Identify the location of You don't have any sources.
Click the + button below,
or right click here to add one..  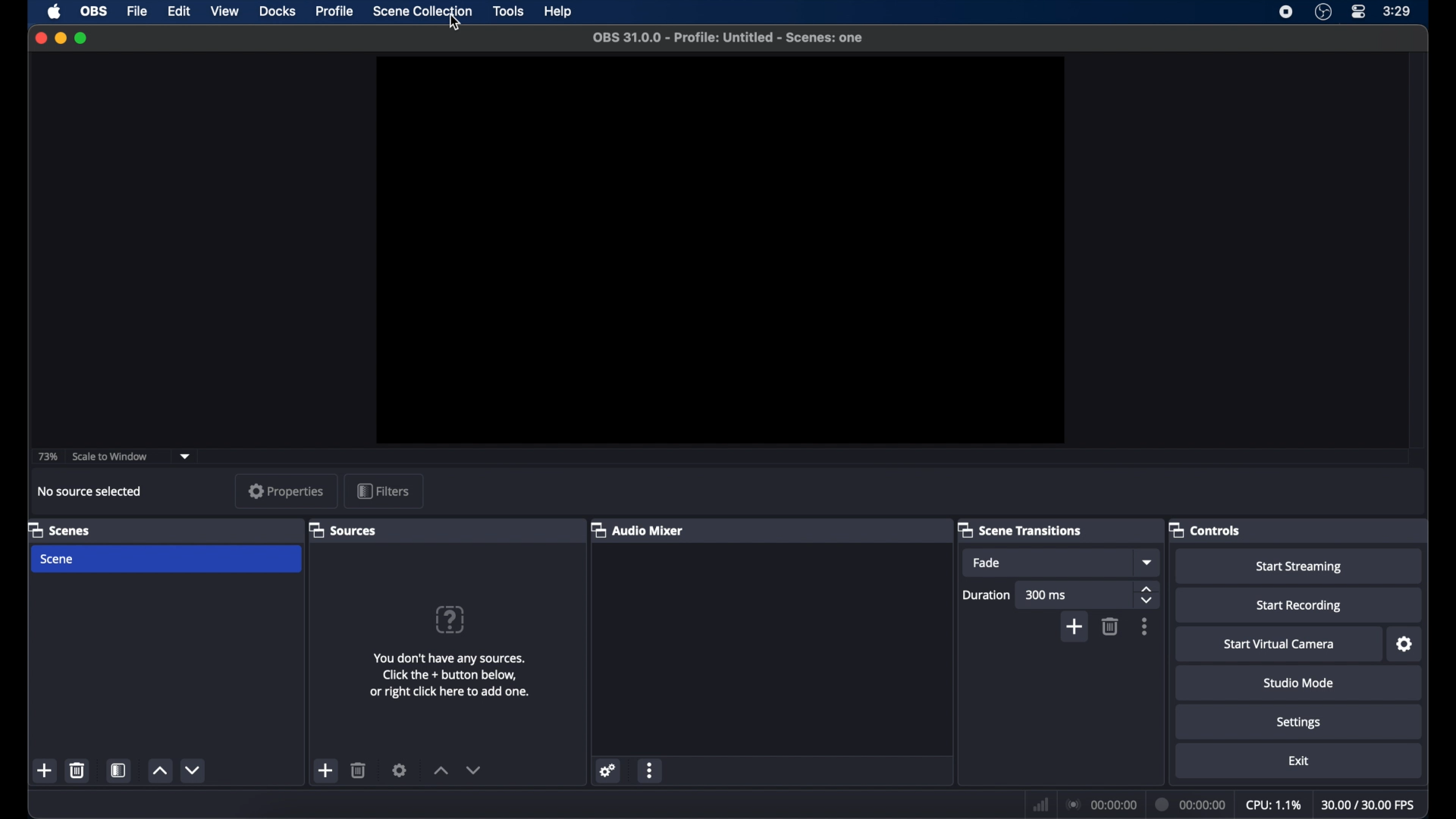
(457, 678).